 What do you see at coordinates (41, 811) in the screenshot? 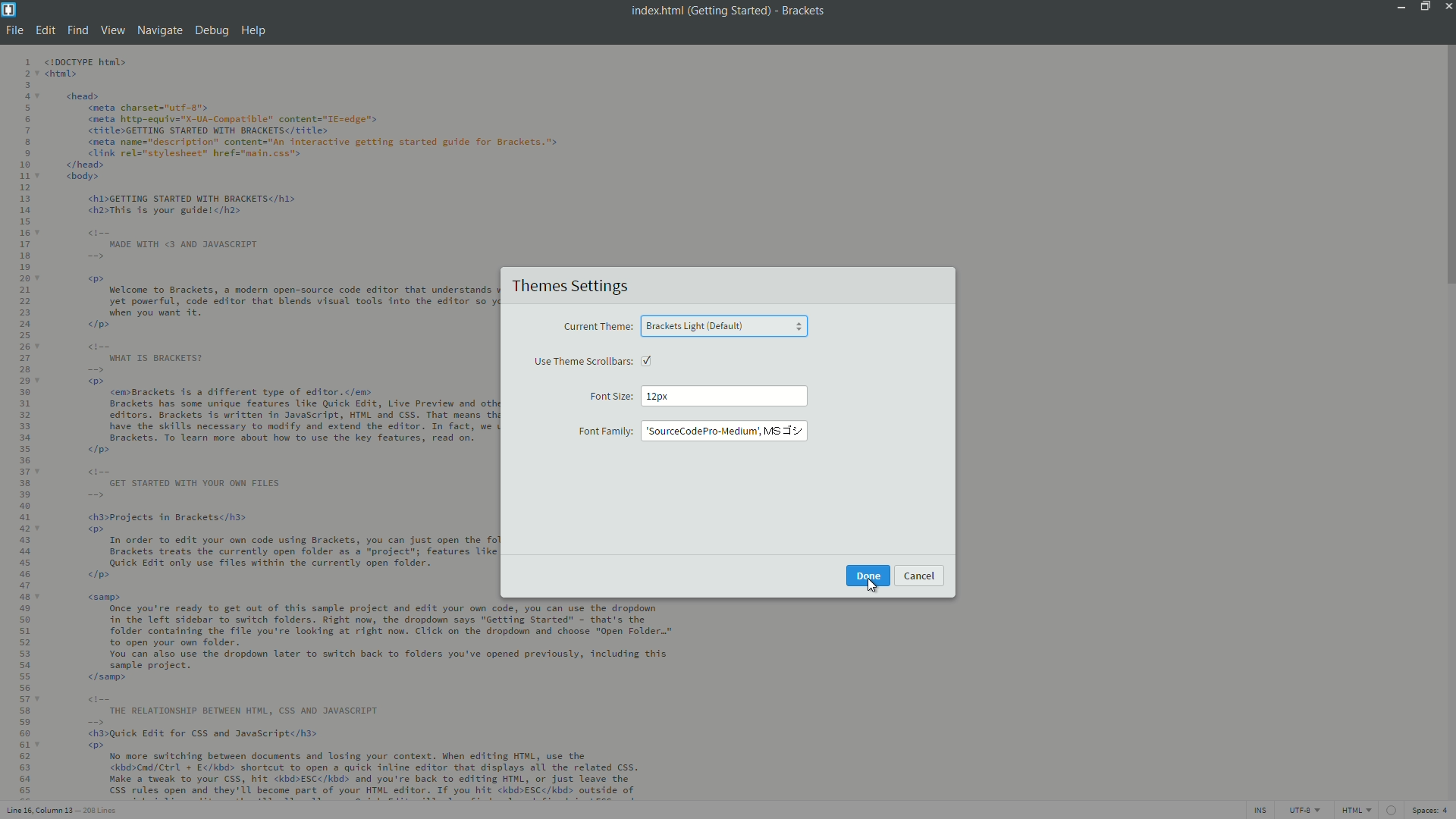
I see `cursor position` at bounding box center [41, 811].